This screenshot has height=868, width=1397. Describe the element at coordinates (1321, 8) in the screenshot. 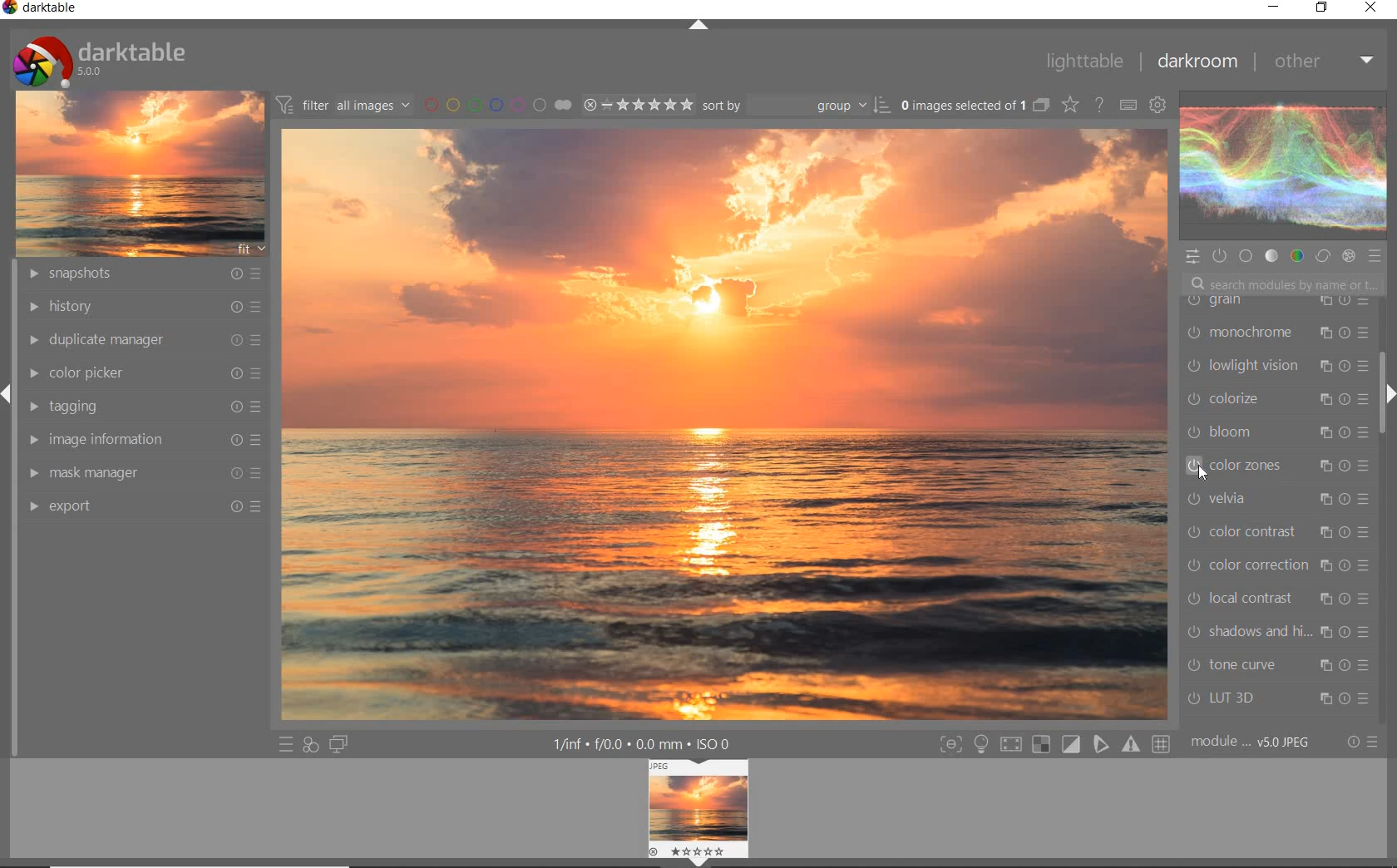

I see `restore` at that location.